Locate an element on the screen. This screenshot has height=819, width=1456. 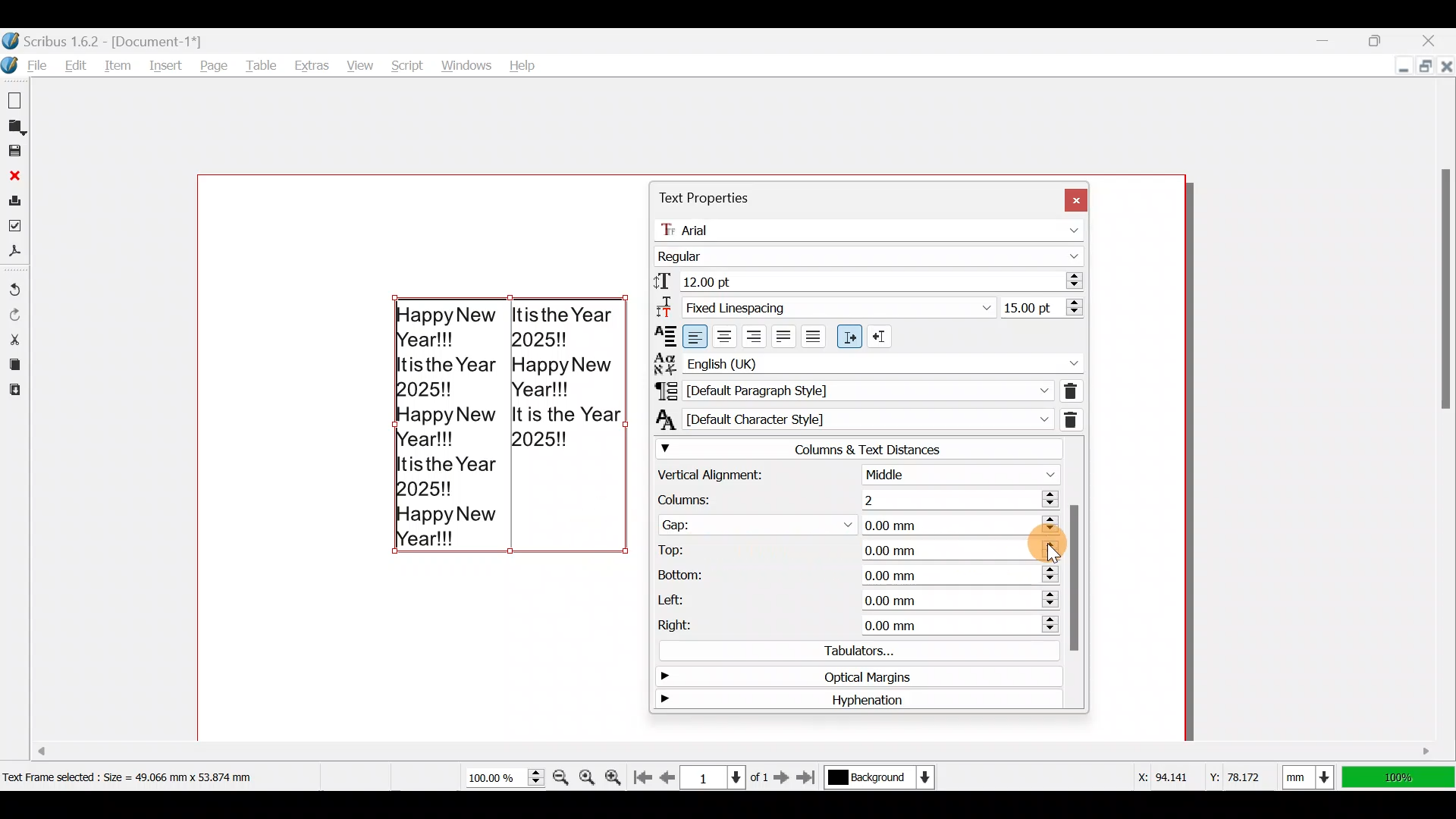
Close is located at coordinates (14, 175).